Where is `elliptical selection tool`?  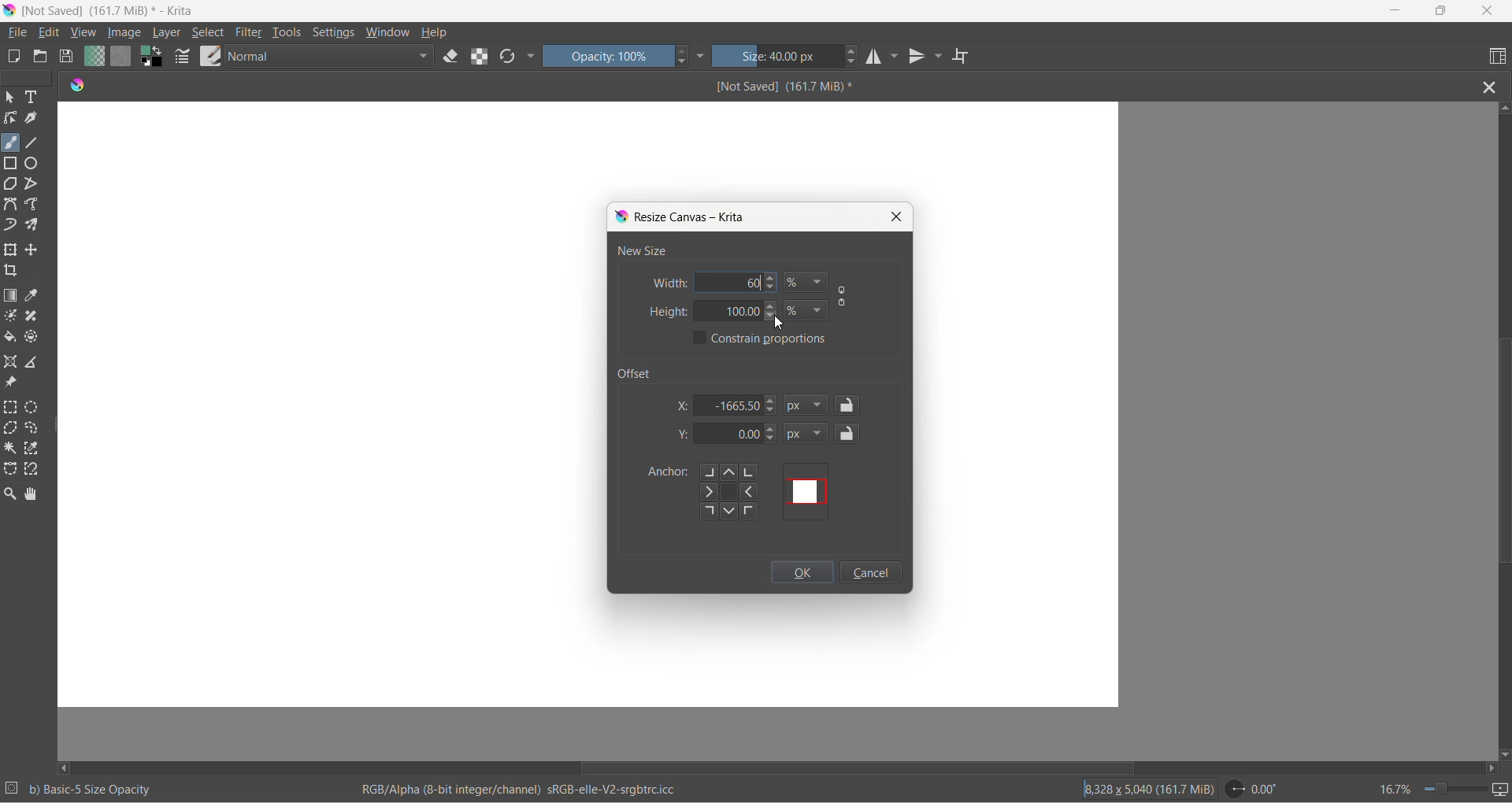 elliptical selection tool is located at coordinates (35, 407).